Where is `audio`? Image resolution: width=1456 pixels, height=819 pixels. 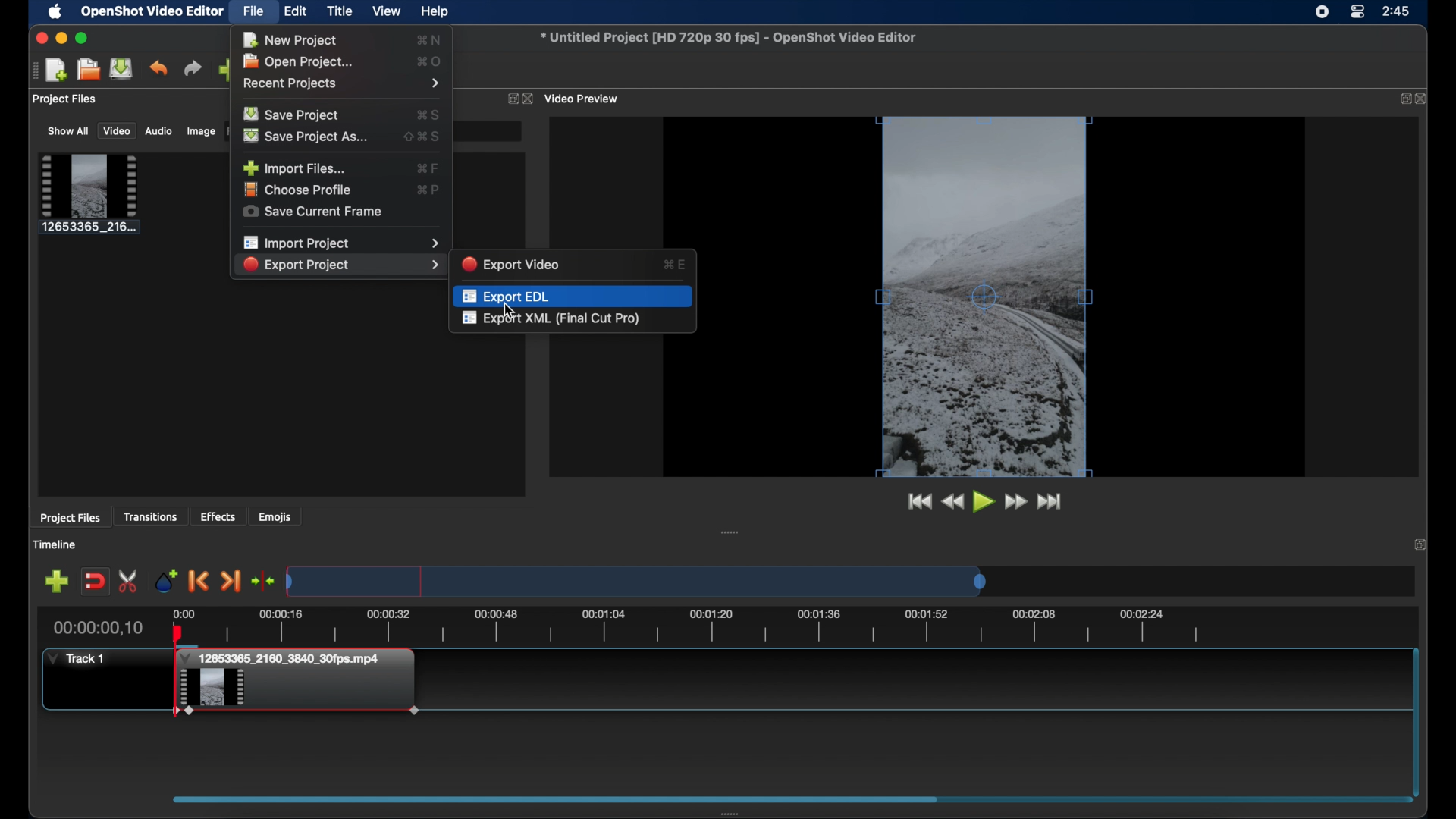 audio is located at coordinates (159, 132).